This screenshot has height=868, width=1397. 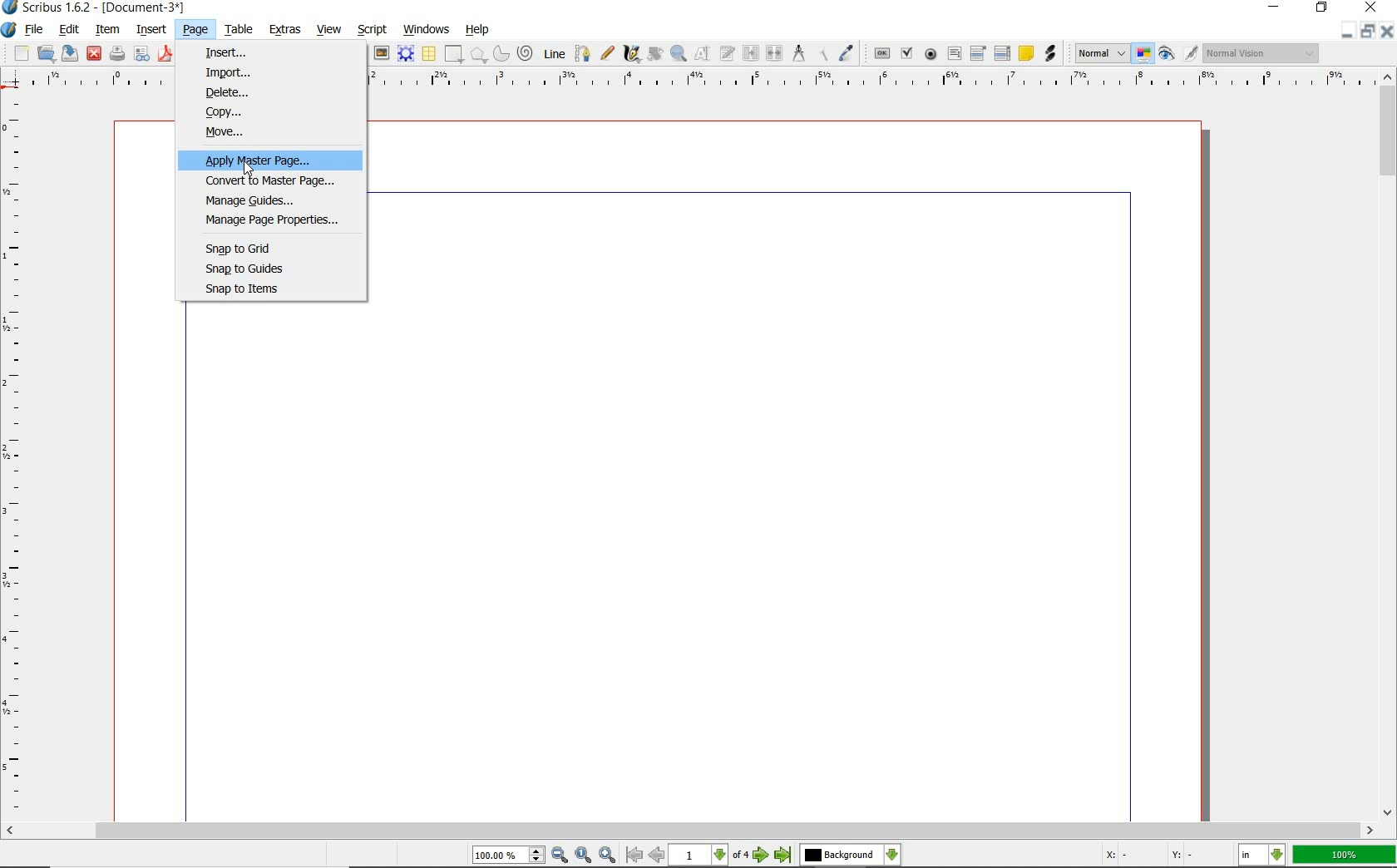 I want to click on close, so click(x=95, y=53).